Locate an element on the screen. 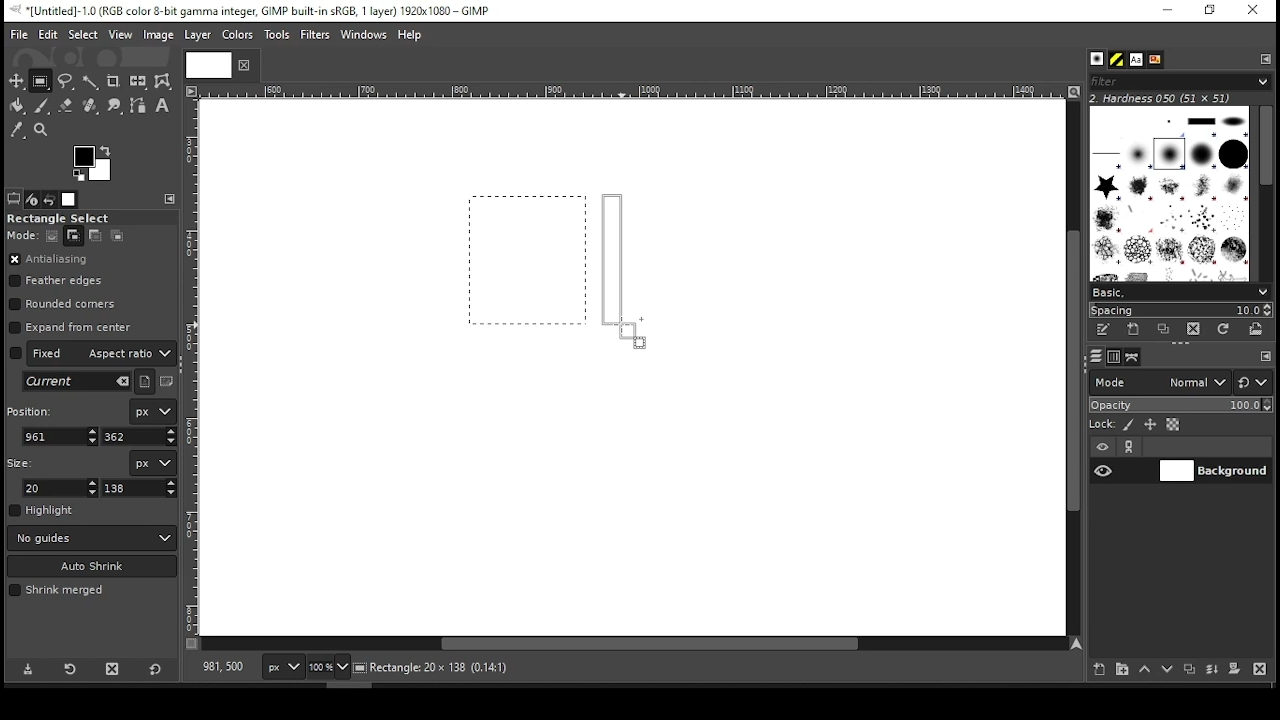  open brush as image is located at coordinates (1257, 329).